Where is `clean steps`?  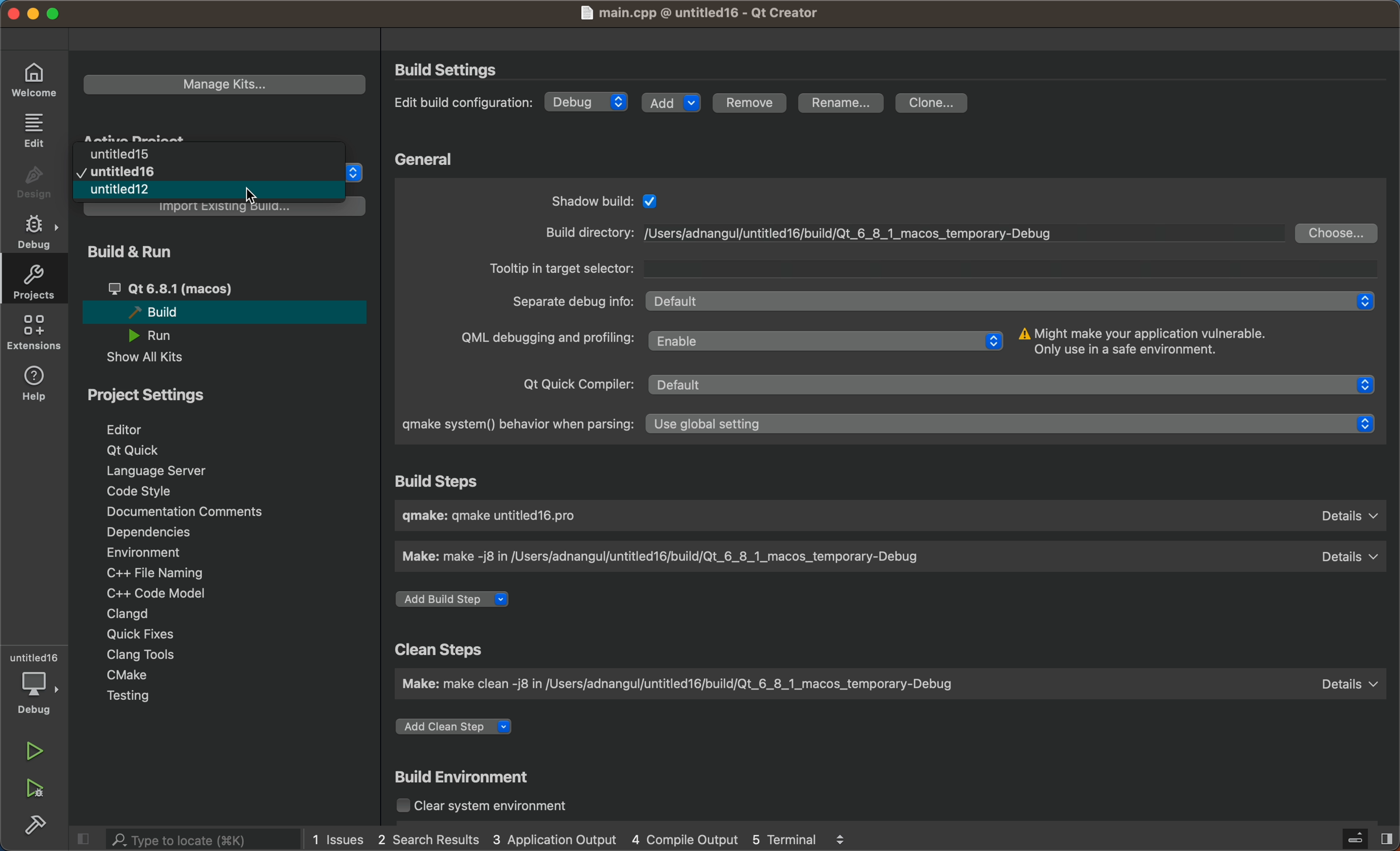
clean steps is located at coordinates (451, 648).